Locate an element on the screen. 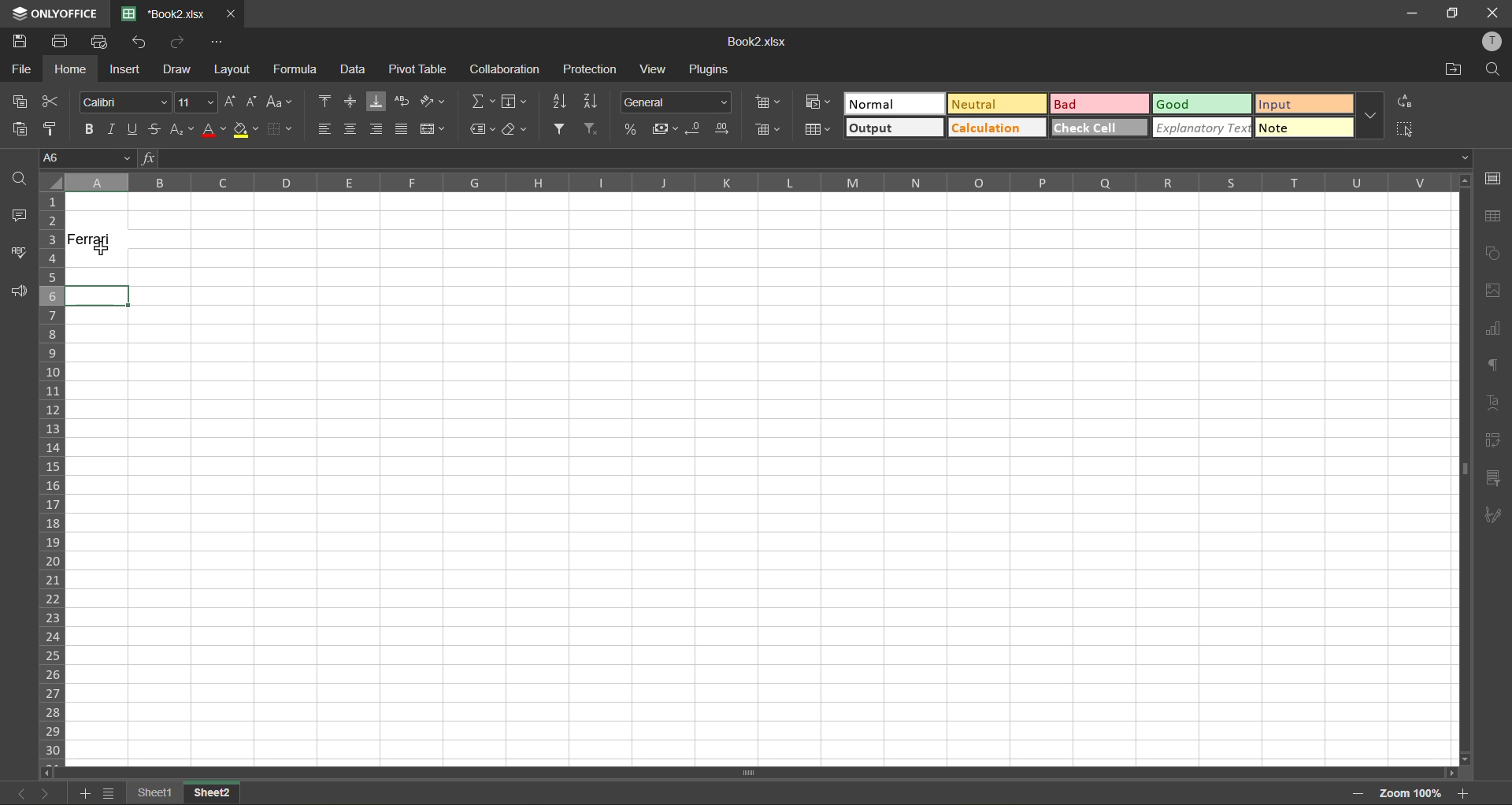 Image resolution: width=1512 pixels, height=805 pixels. shapes is located at coordinates (1495, 252).